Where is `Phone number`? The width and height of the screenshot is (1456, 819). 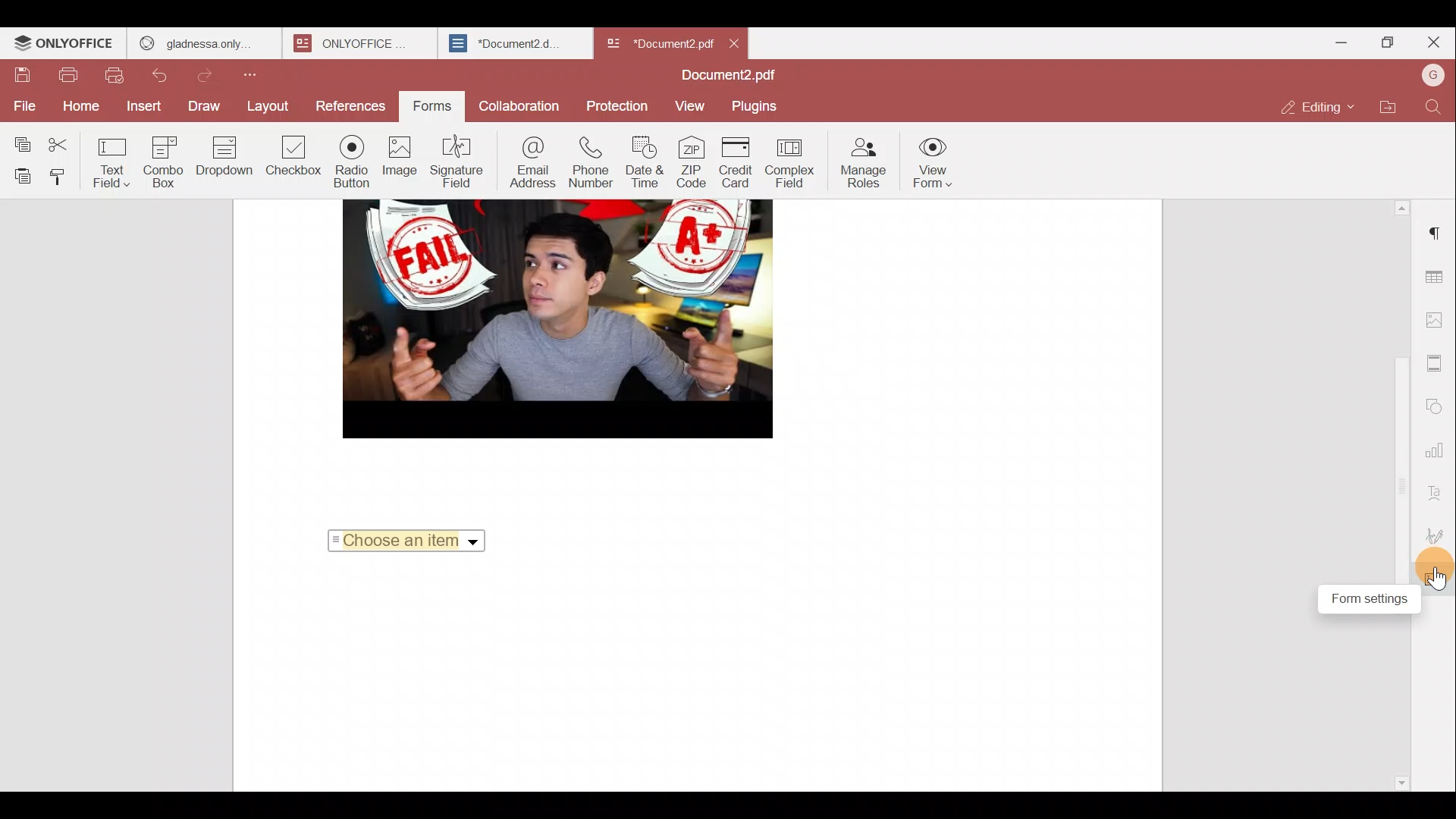 Phone number is located at coordinates (591, 164).